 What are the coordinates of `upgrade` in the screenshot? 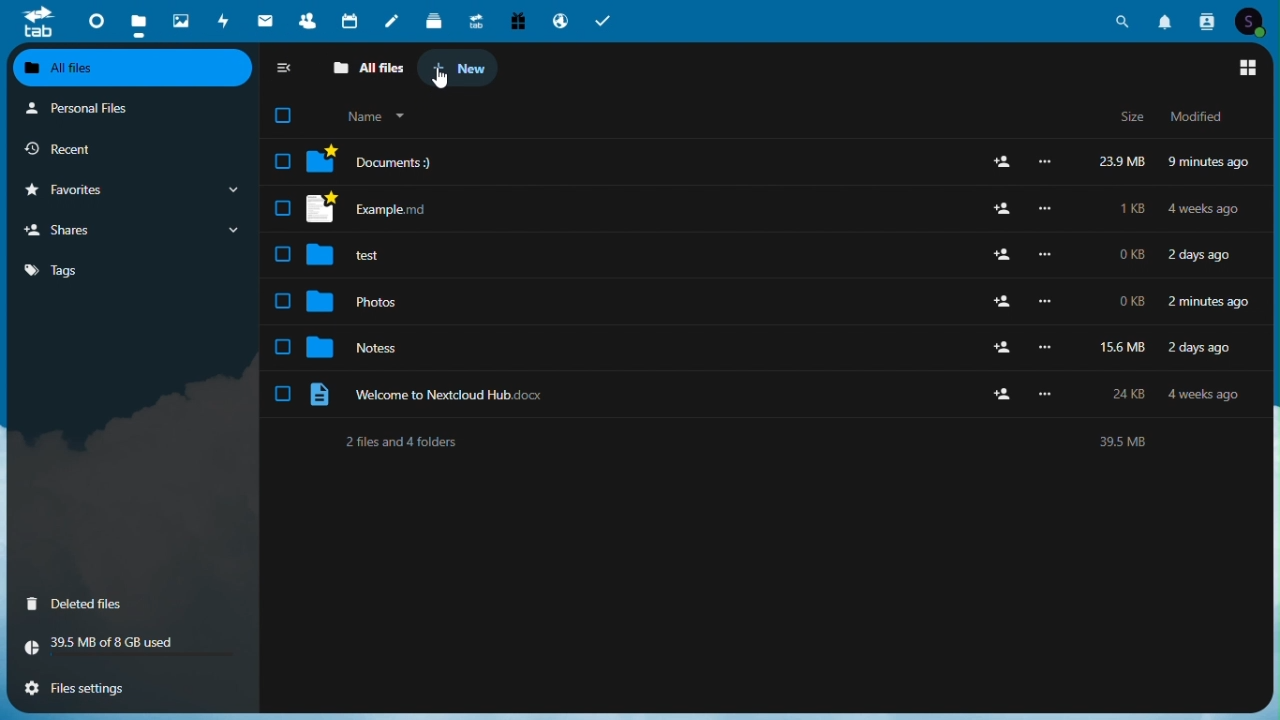 It's located at (474, 19).